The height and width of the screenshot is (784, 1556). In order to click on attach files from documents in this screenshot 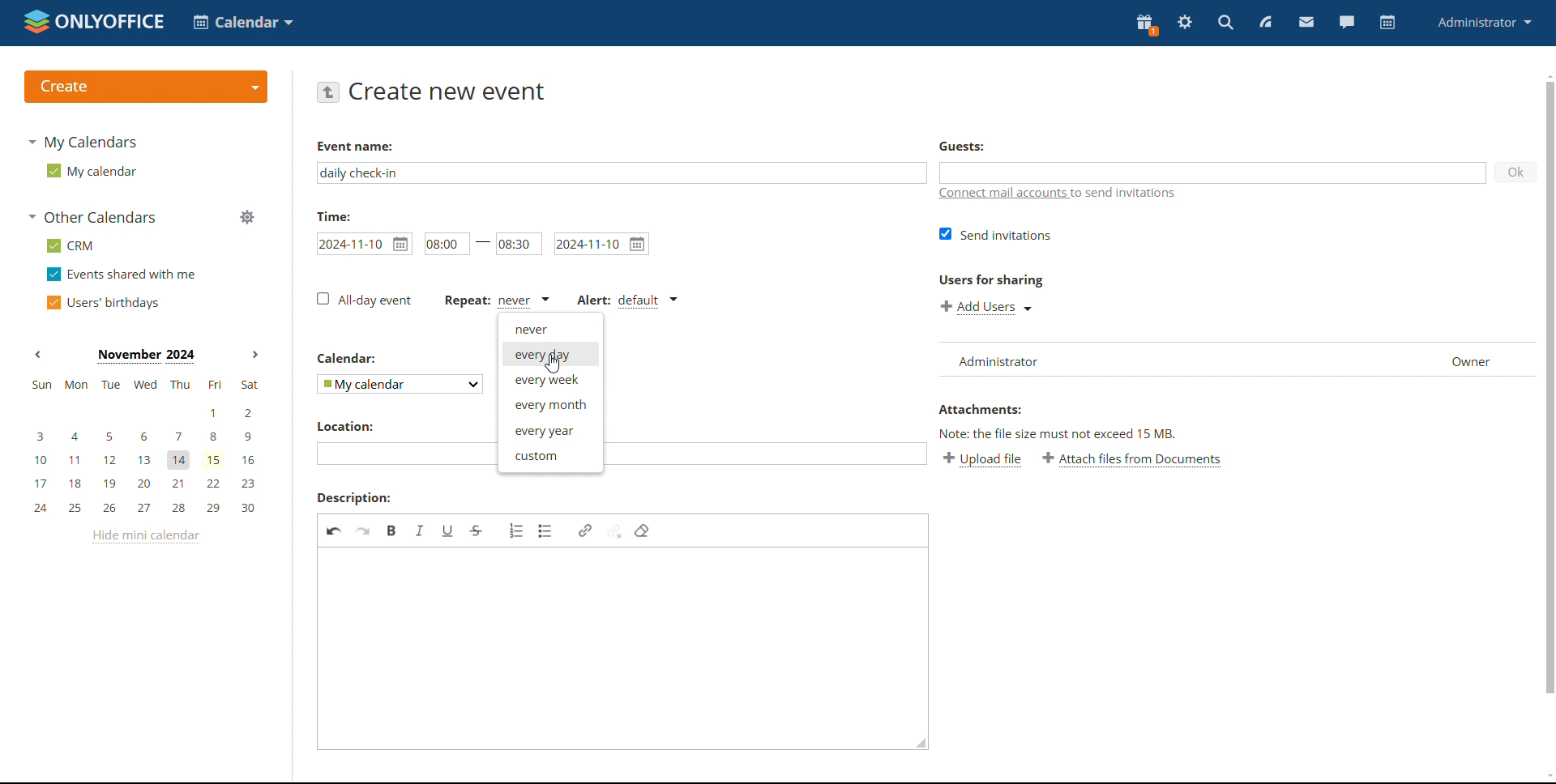, I will do `click(1135, 460)`.